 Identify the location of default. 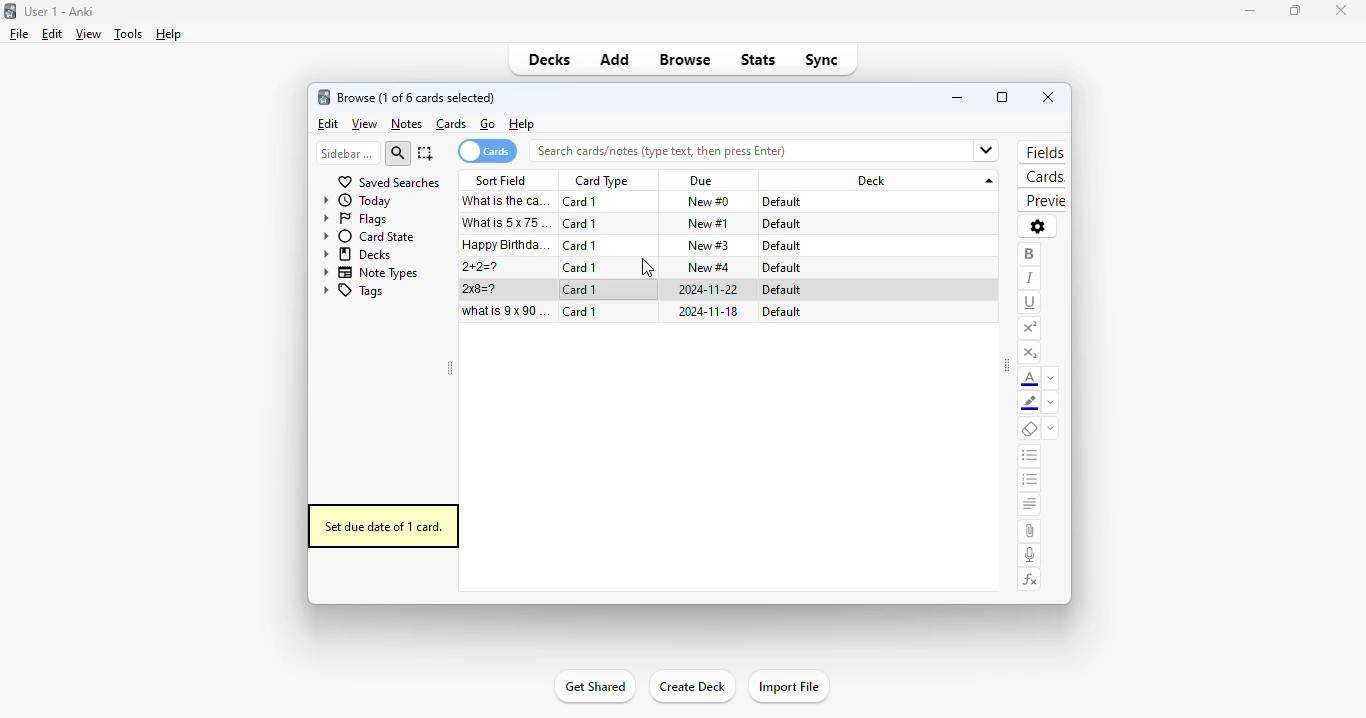
(782, 246).